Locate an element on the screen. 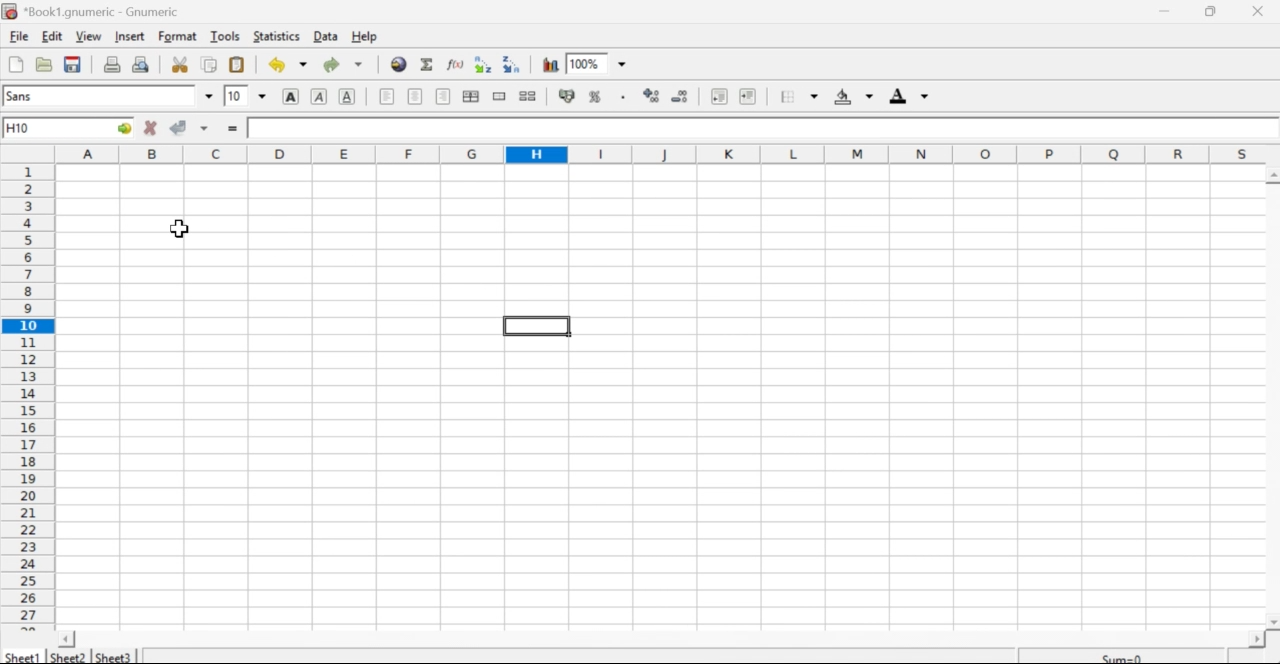 This screenshot has width=1280, height=664. icon is located at coordinates (10, 11).